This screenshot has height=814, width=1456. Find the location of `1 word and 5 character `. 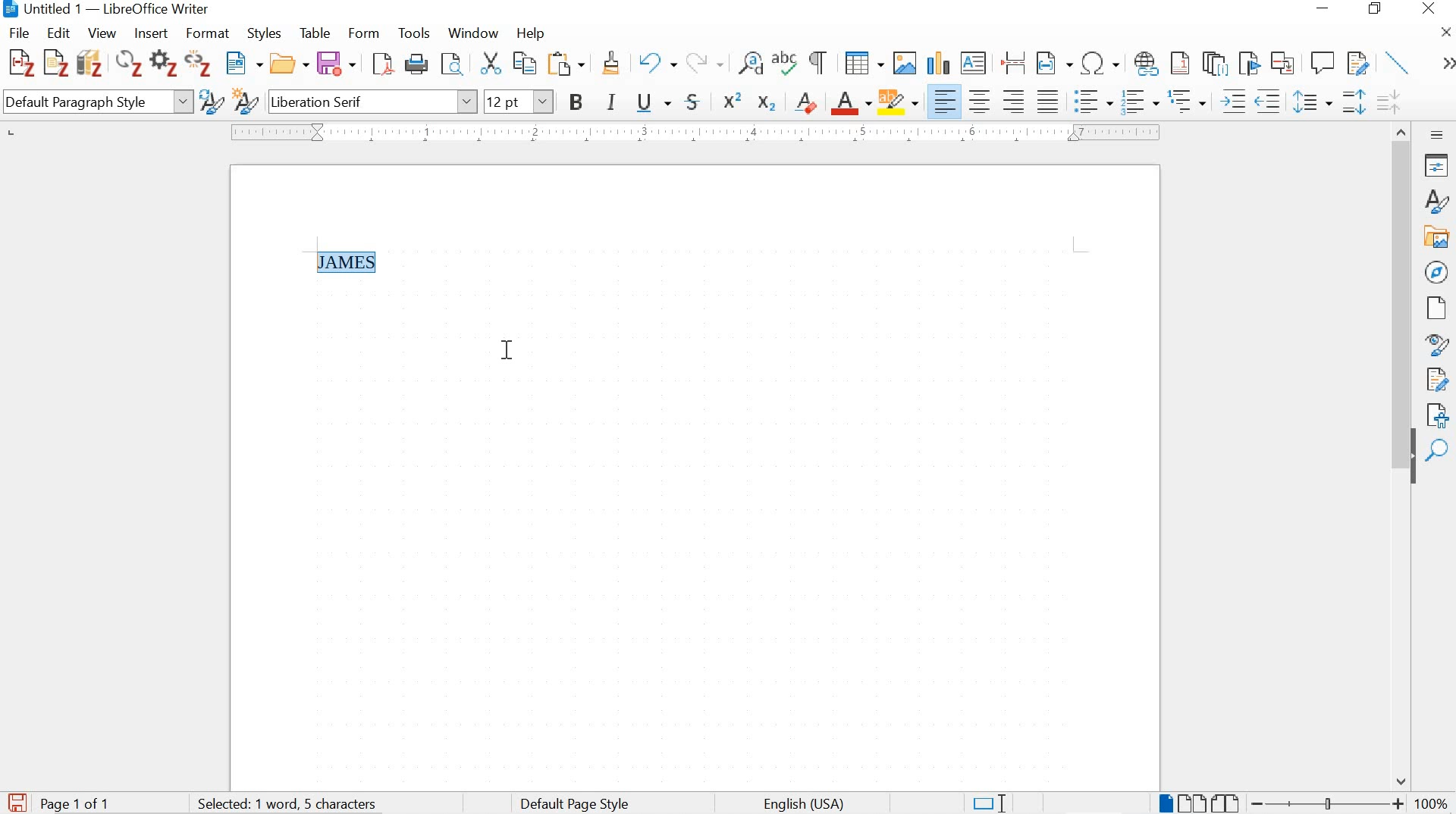

1 word and 5 character  is located at coordinates (292, 804).